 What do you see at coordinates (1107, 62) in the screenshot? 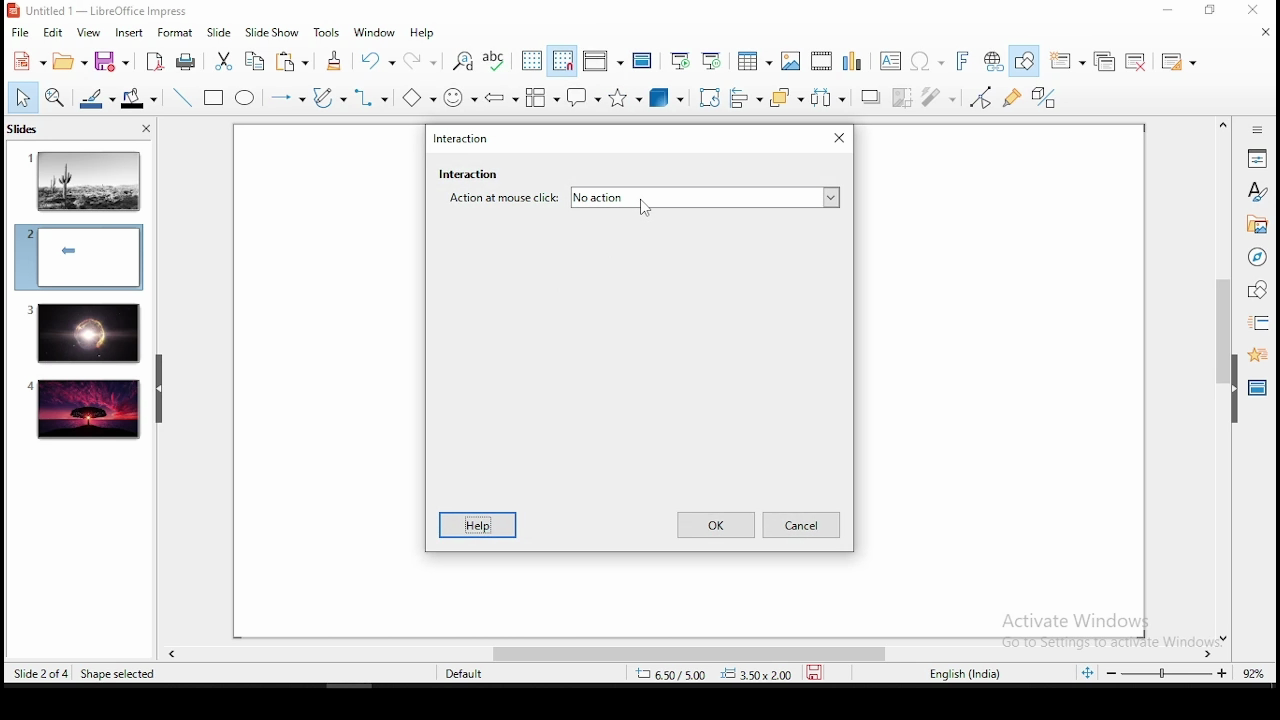
I see `duplicate slide` at bounding box center [1107, 62].